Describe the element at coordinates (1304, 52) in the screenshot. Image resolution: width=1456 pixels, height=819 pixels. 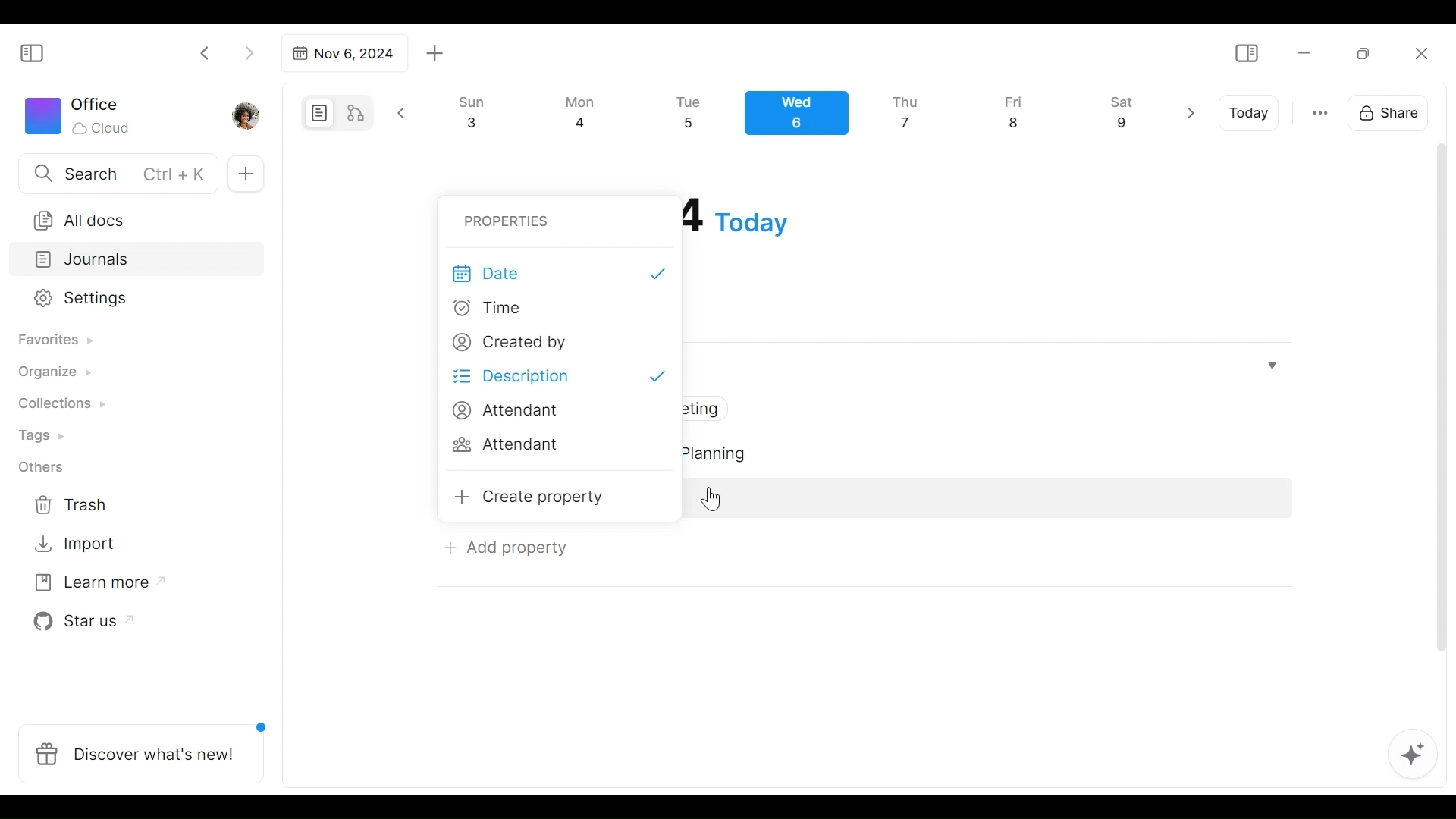
I see `Minimize` at that location.